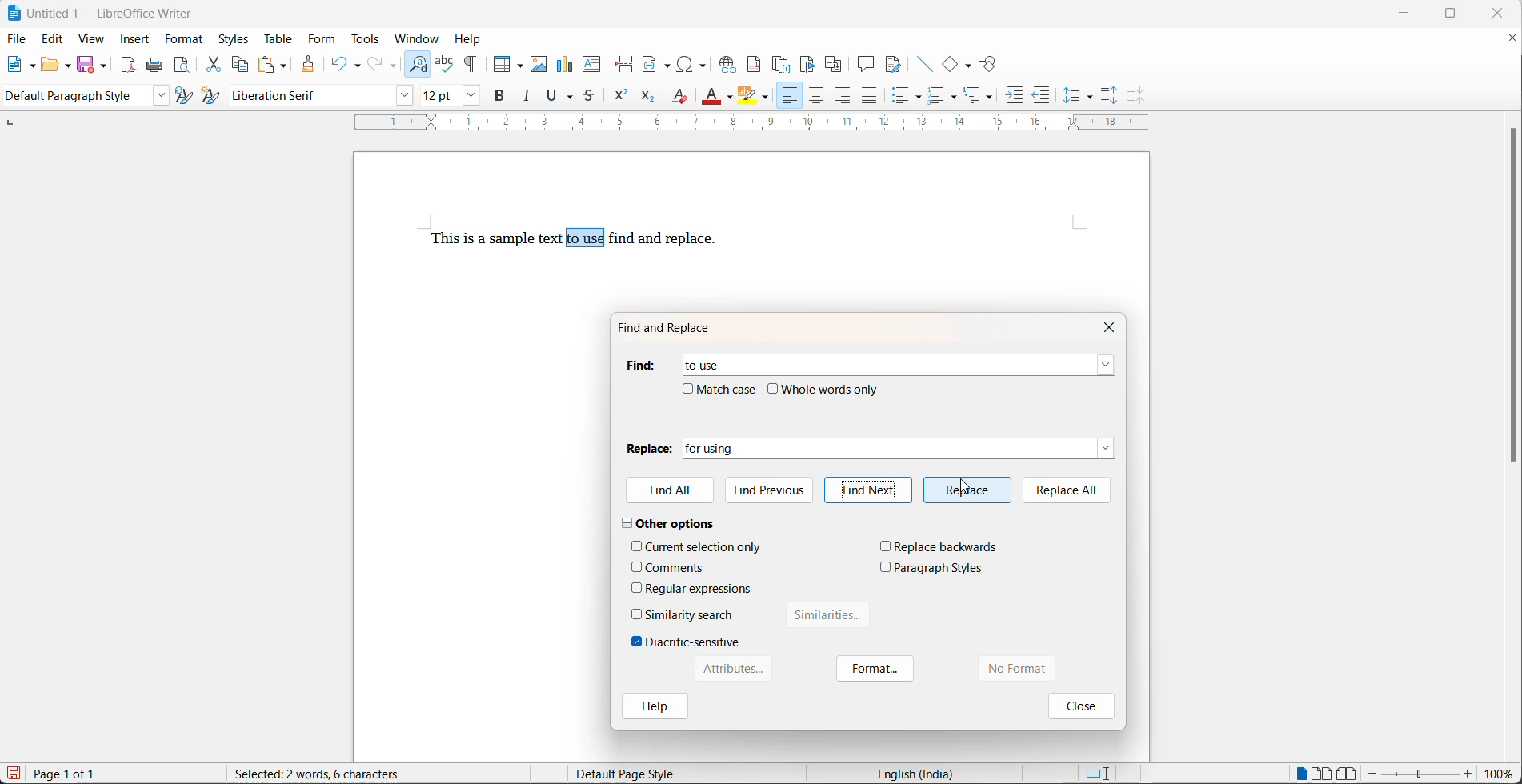  Describe the element at coordinates (338, 62) in the screenshot. I see `undo` at that location.